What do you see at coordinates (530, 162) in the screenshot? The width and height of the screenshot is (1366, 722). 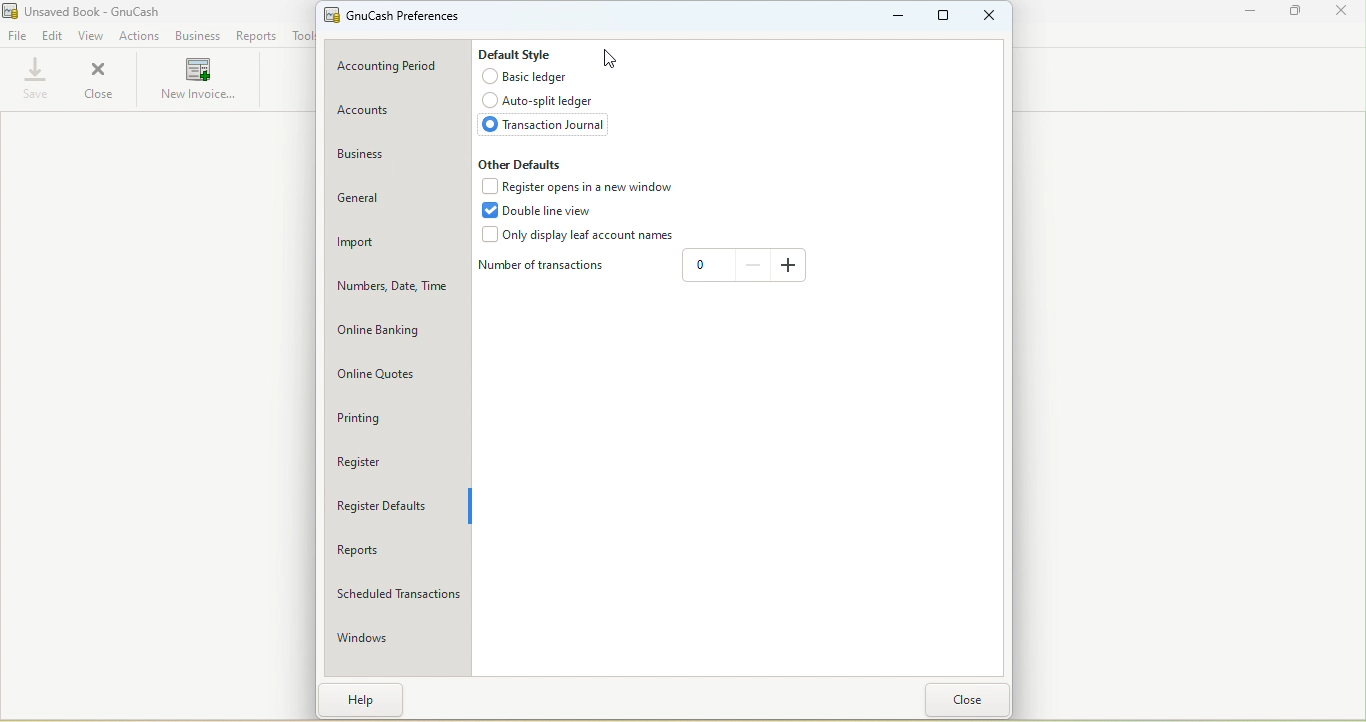 I see `Other defaults` at bounding box center [530, 162].